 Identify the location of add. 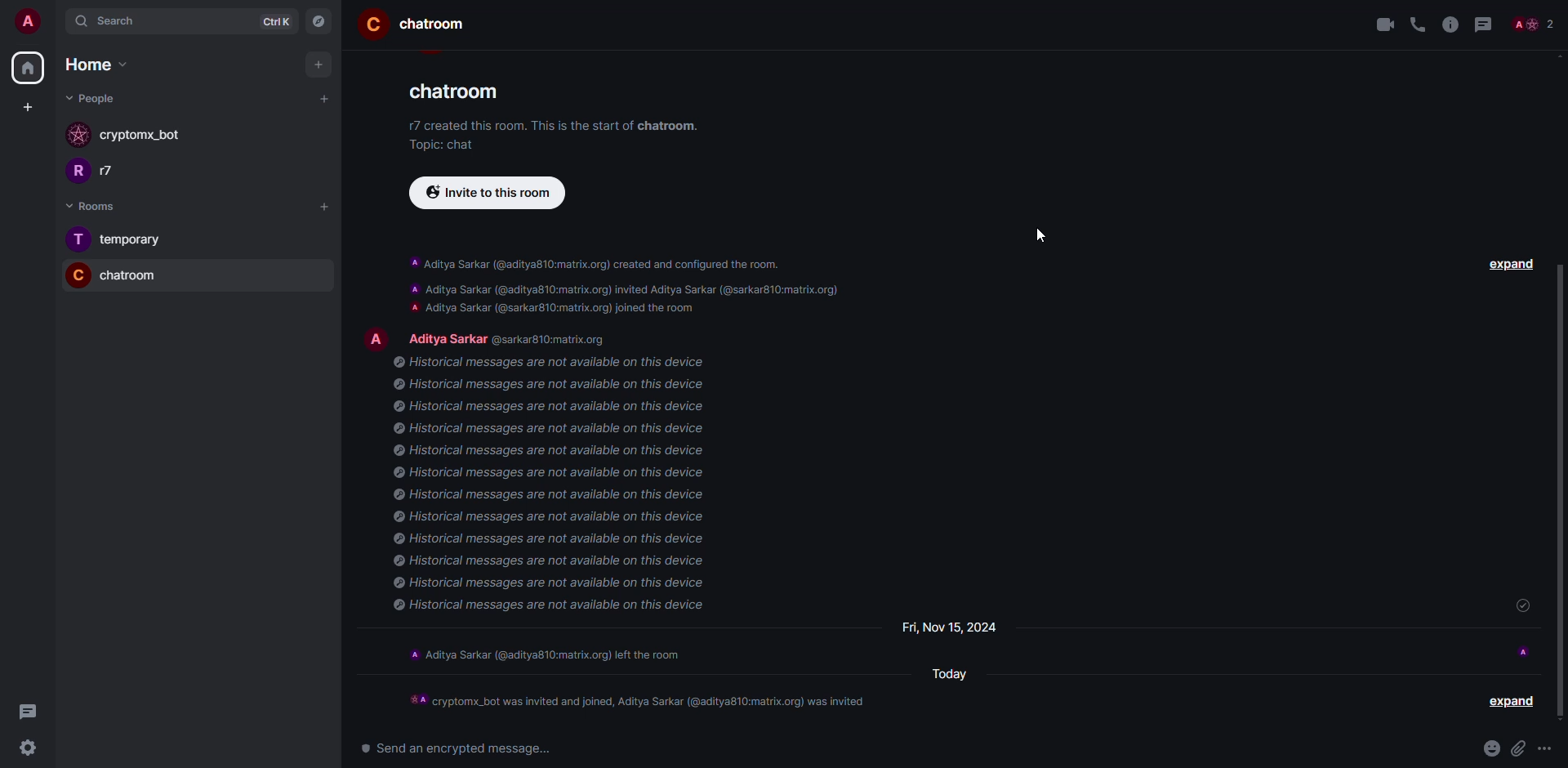
(327, 206).